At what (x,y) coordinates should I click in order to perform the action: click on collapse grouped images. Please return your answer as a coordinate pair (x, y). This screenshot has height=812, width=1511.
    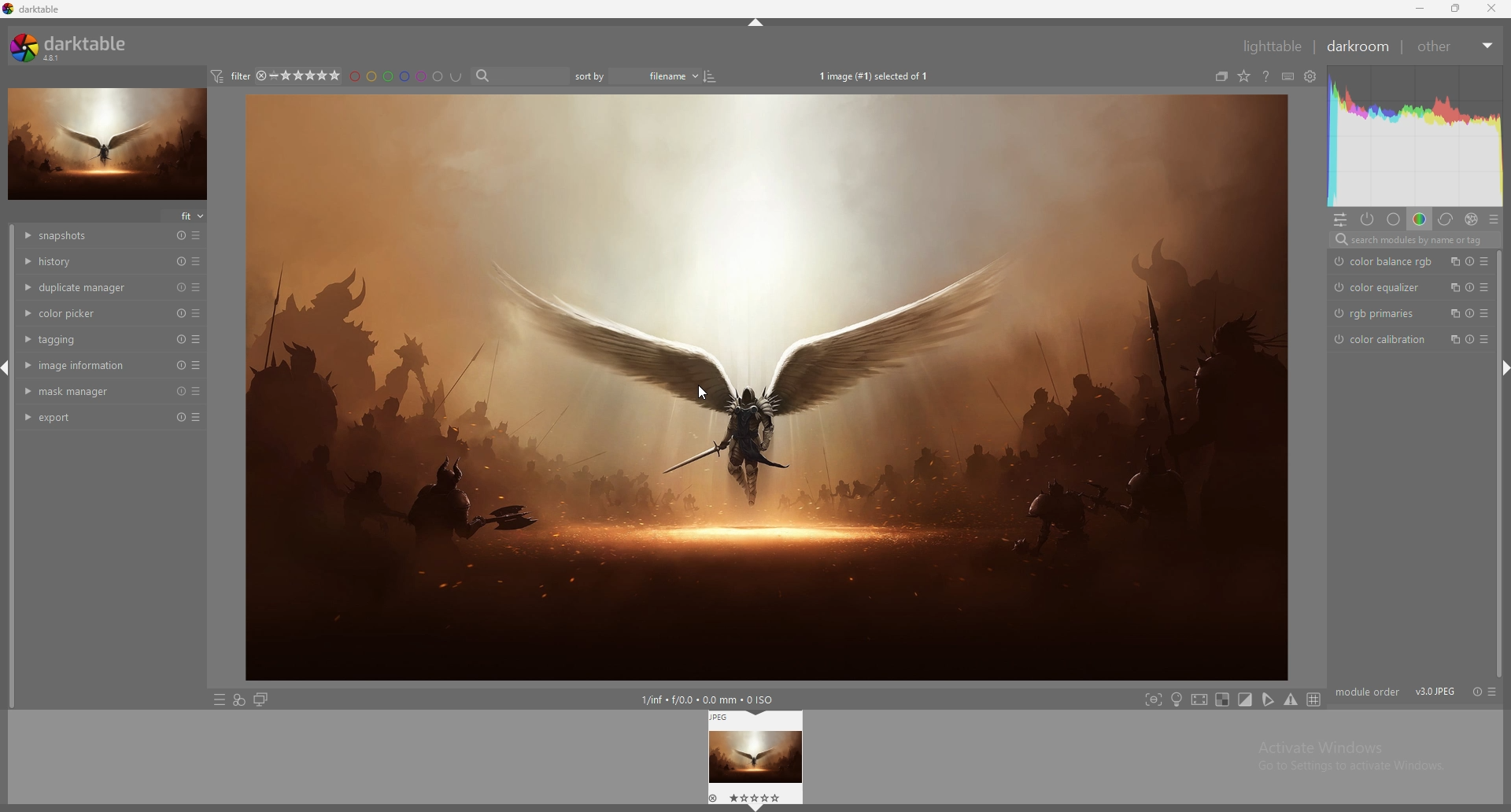
    Looking at the image, I should click on (1222, 76).